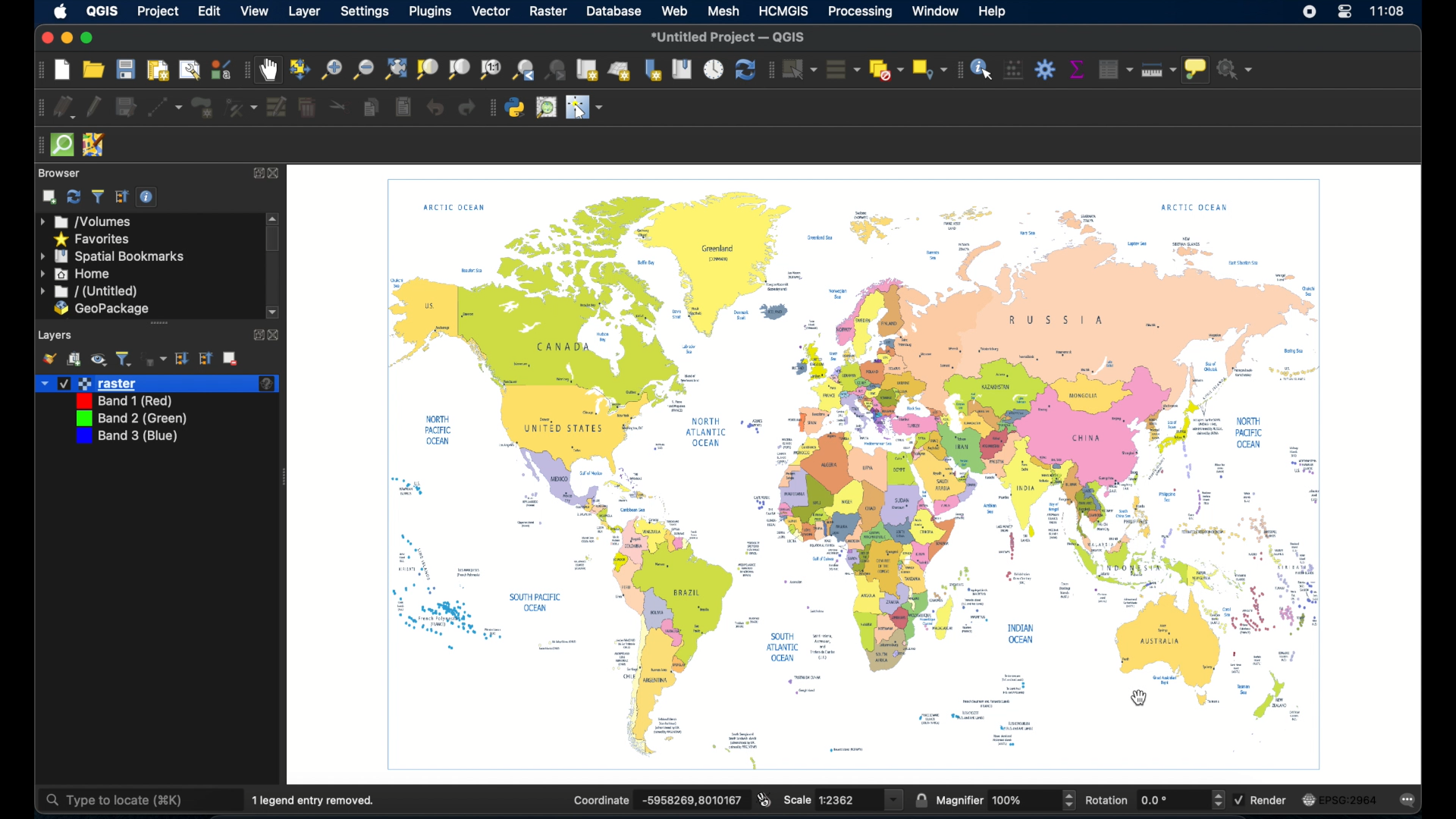 The width and height of the screenshot is (1456, 819). I want to click on enable/disable properties widget, so click(149, 197).